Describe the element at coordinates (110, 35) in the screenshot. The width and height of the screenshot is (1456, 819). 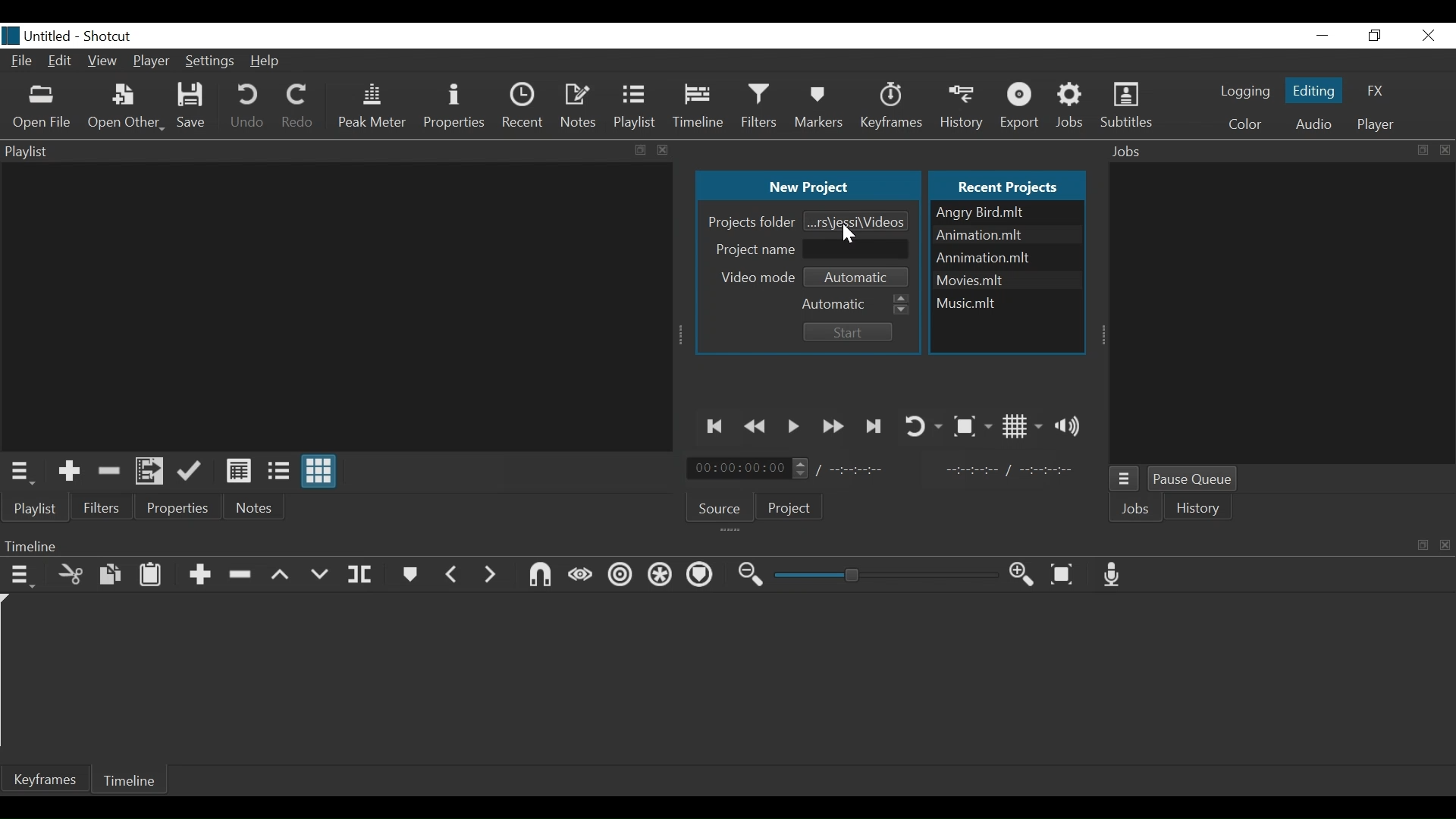
I see `Shotcut` at that location.